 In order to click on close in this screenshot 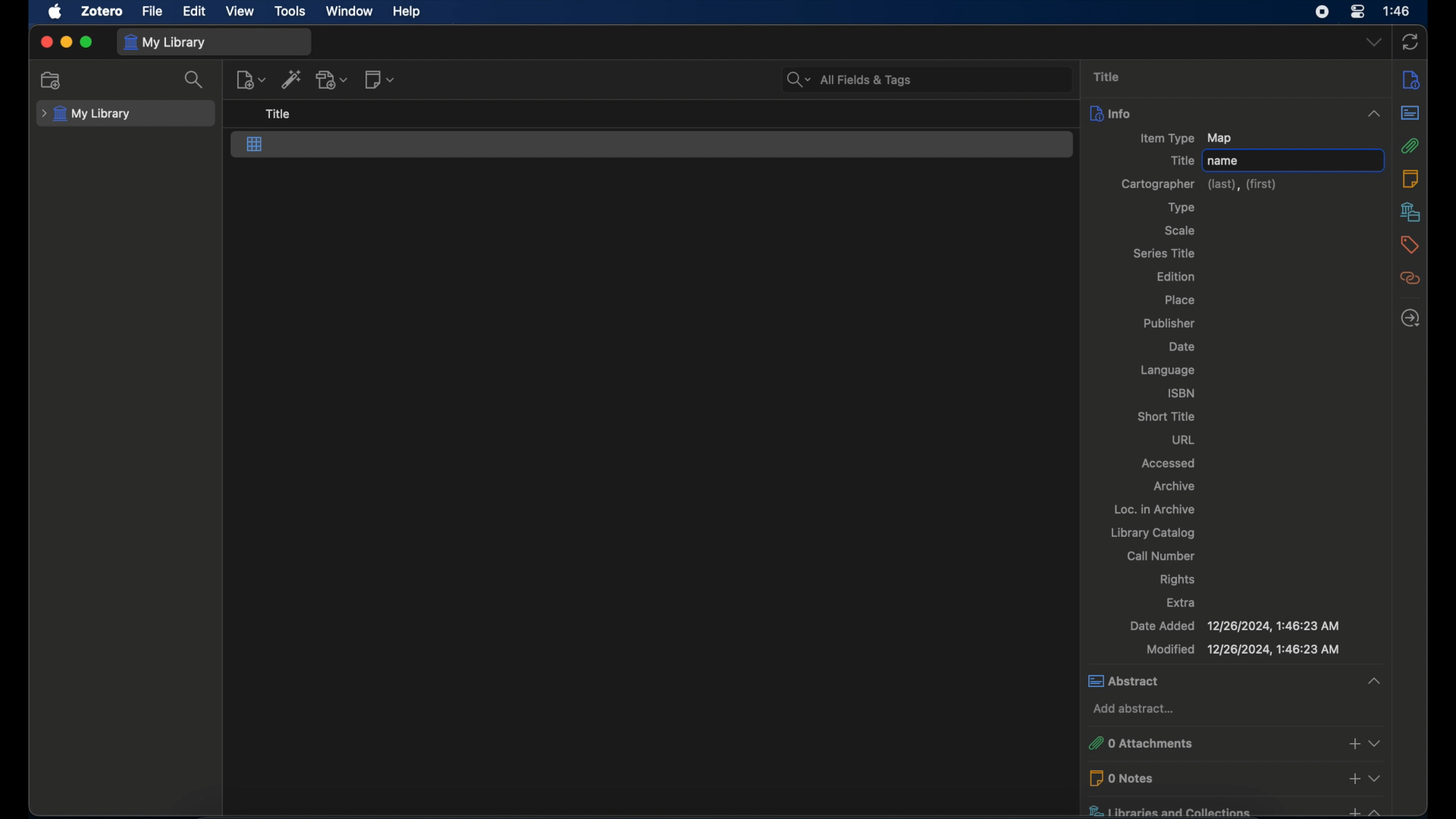, I will do `click(45, 42)`.